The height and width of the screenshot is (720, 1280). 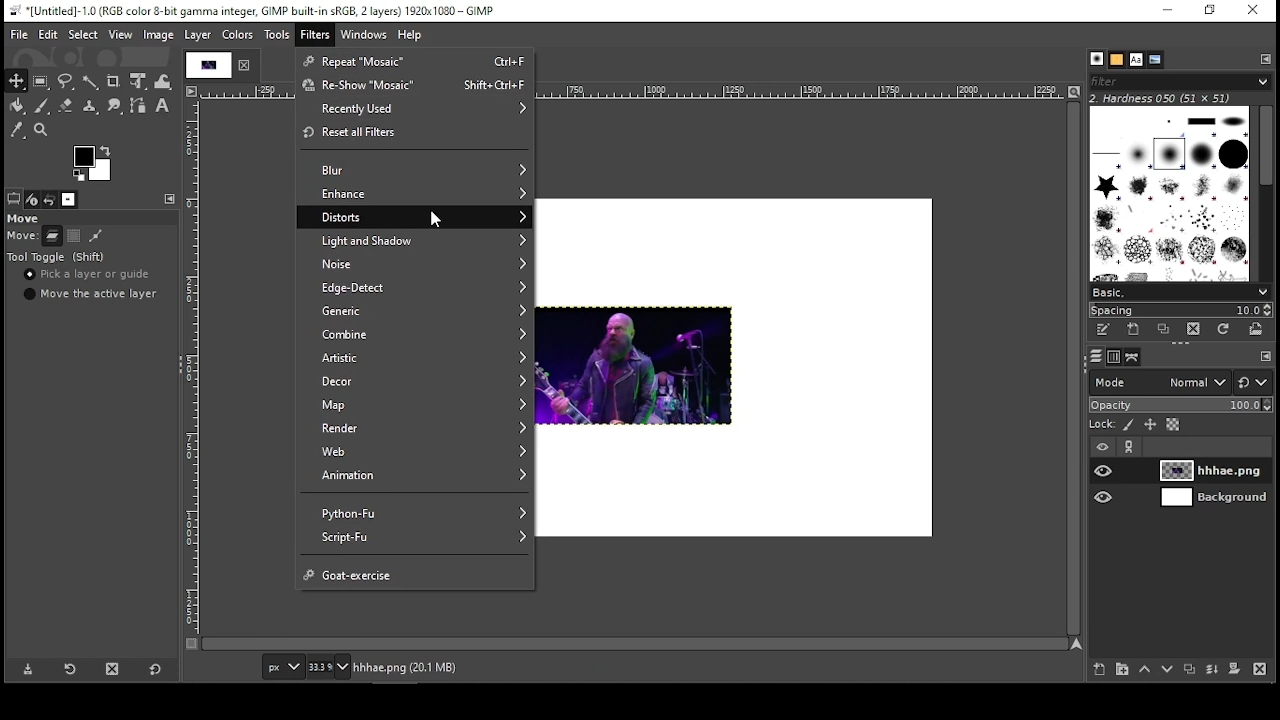 What do you see at coordinates (1096, 356) in the screenshot?
I see `layers` at bounding box center [1096, 356].